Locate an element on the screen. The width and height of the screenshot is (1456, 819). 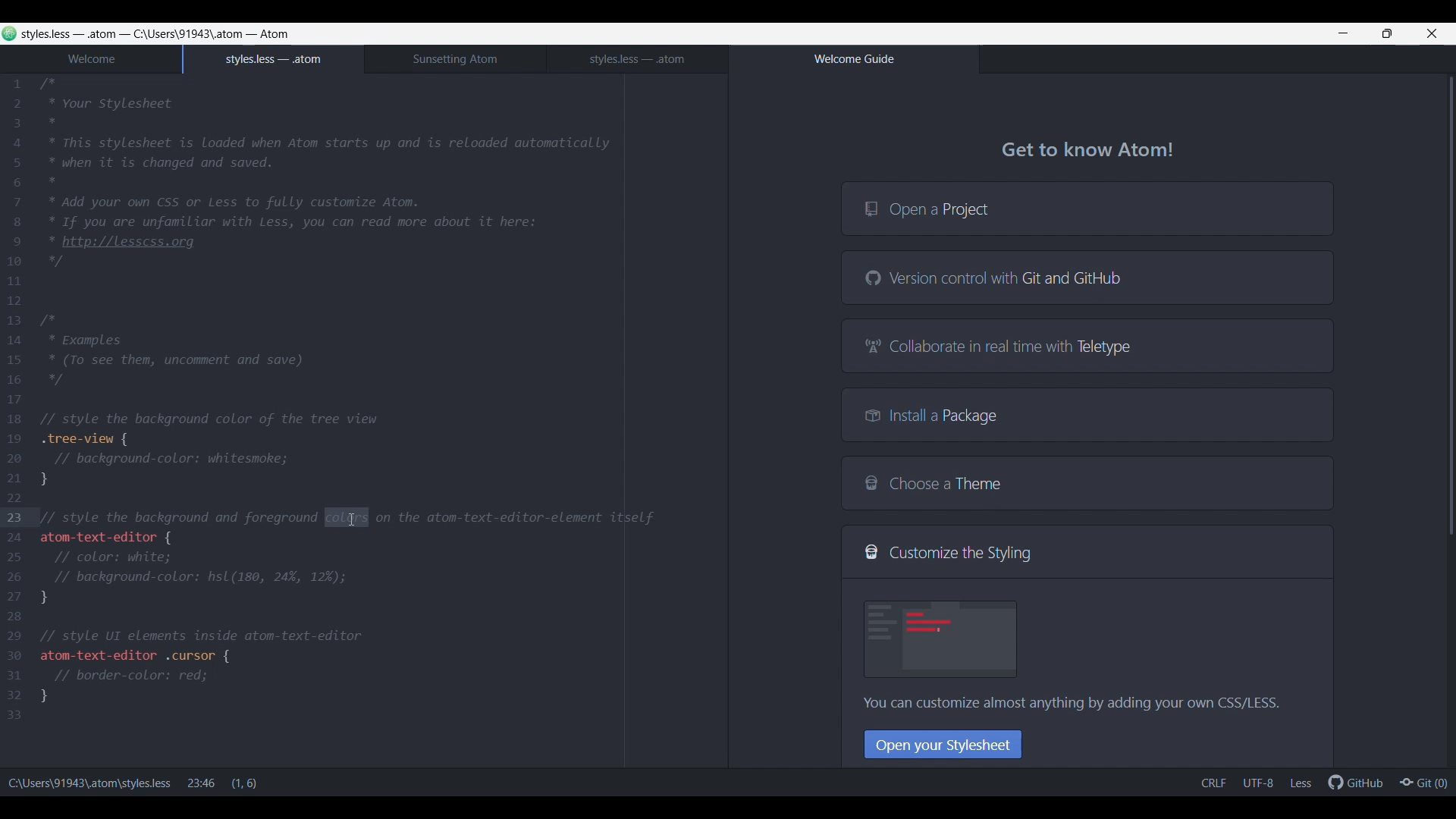
Close interface is located at coordinates (1432, 33).